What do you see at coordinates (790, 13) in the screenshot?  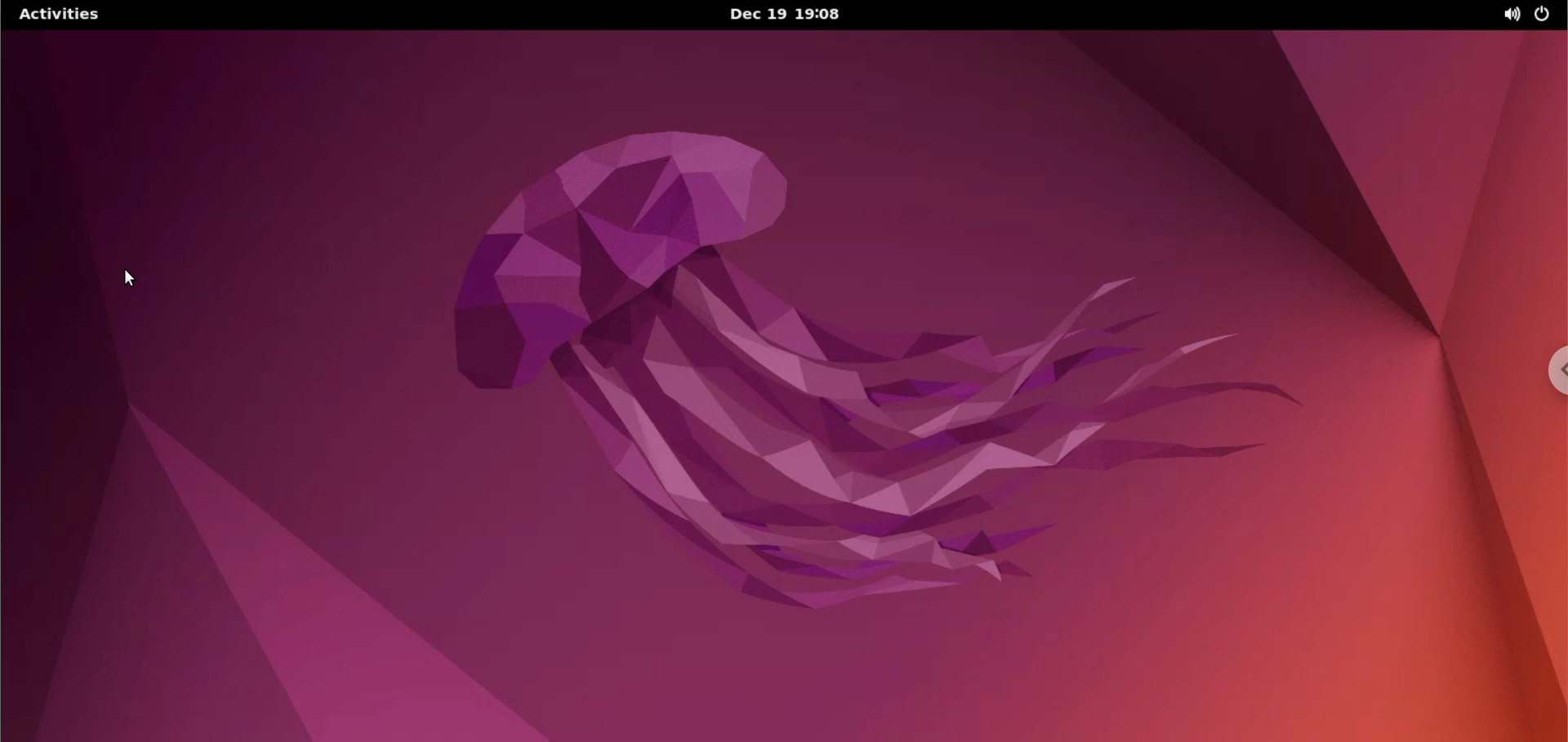 I see `Dec 19 19:08` at bounding box center [790, 13].